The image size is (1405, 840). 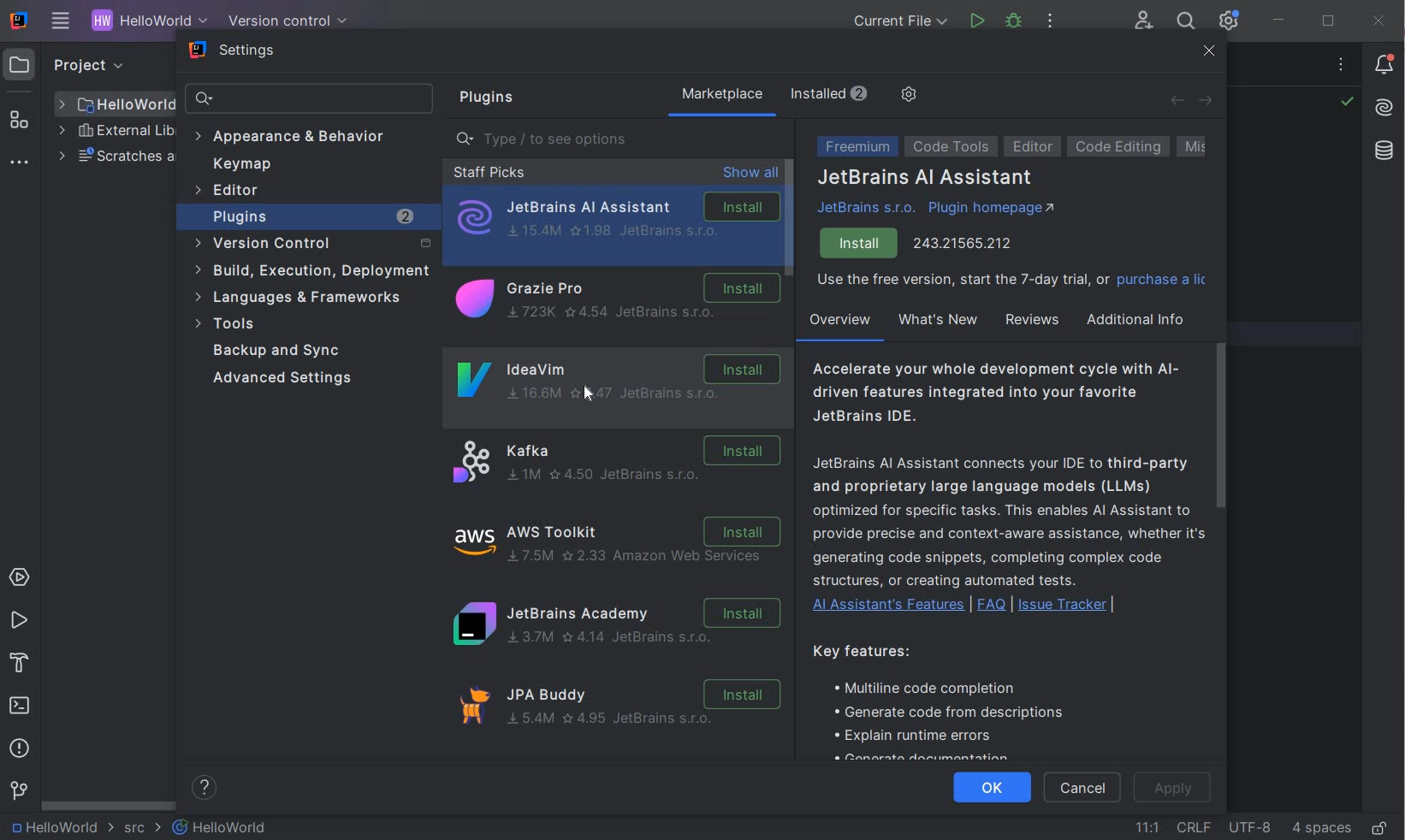 I want to click on plugin homepage, so click(x=992, y=210).